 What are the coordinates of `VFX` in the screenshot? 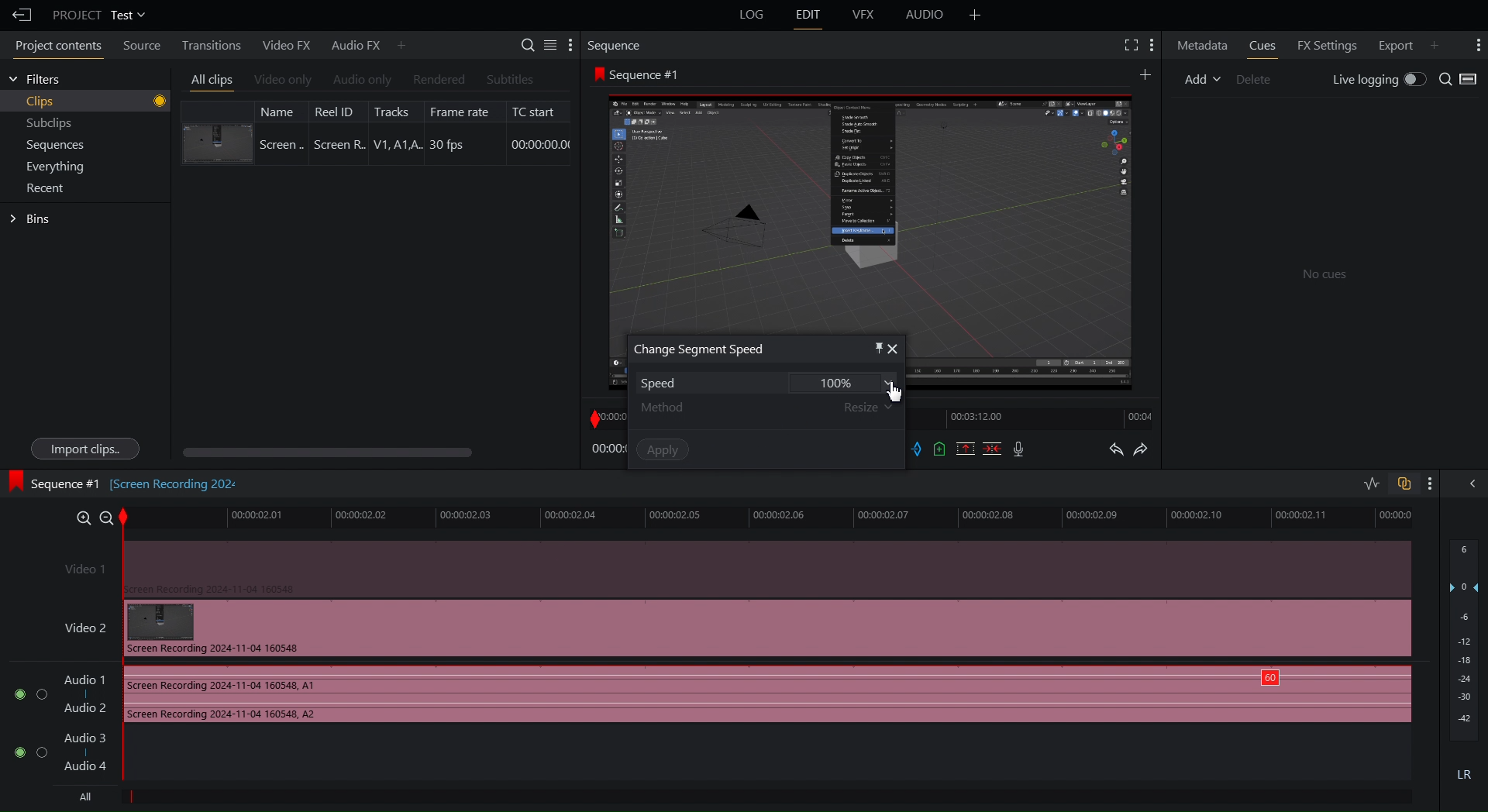 It's located at (866, 15).